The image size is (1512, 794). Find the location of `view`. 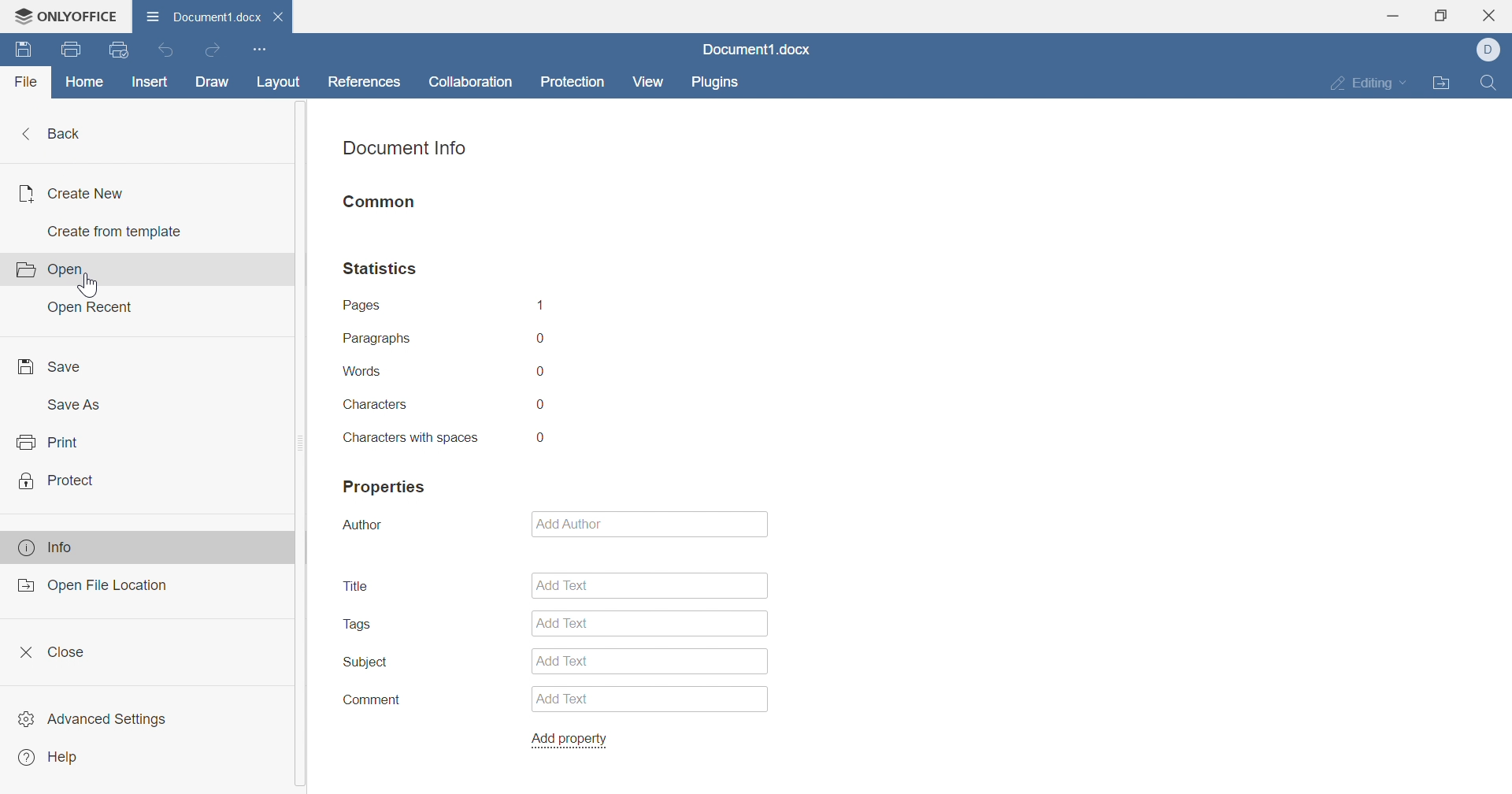

view is located at coordinates (647, 83).